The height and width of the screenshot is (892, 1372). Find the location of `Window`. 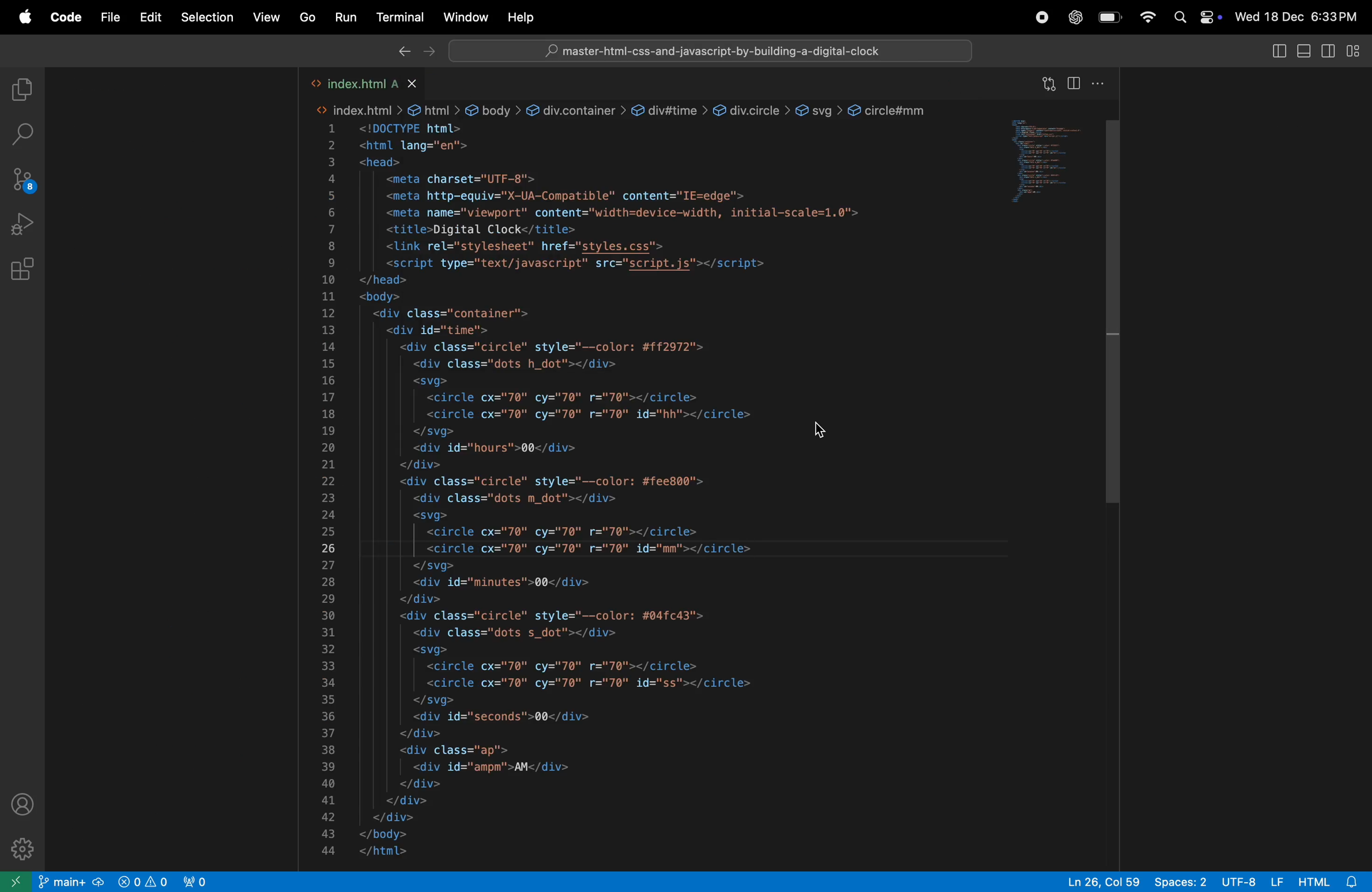

Window is located at coordinates (463, 18).